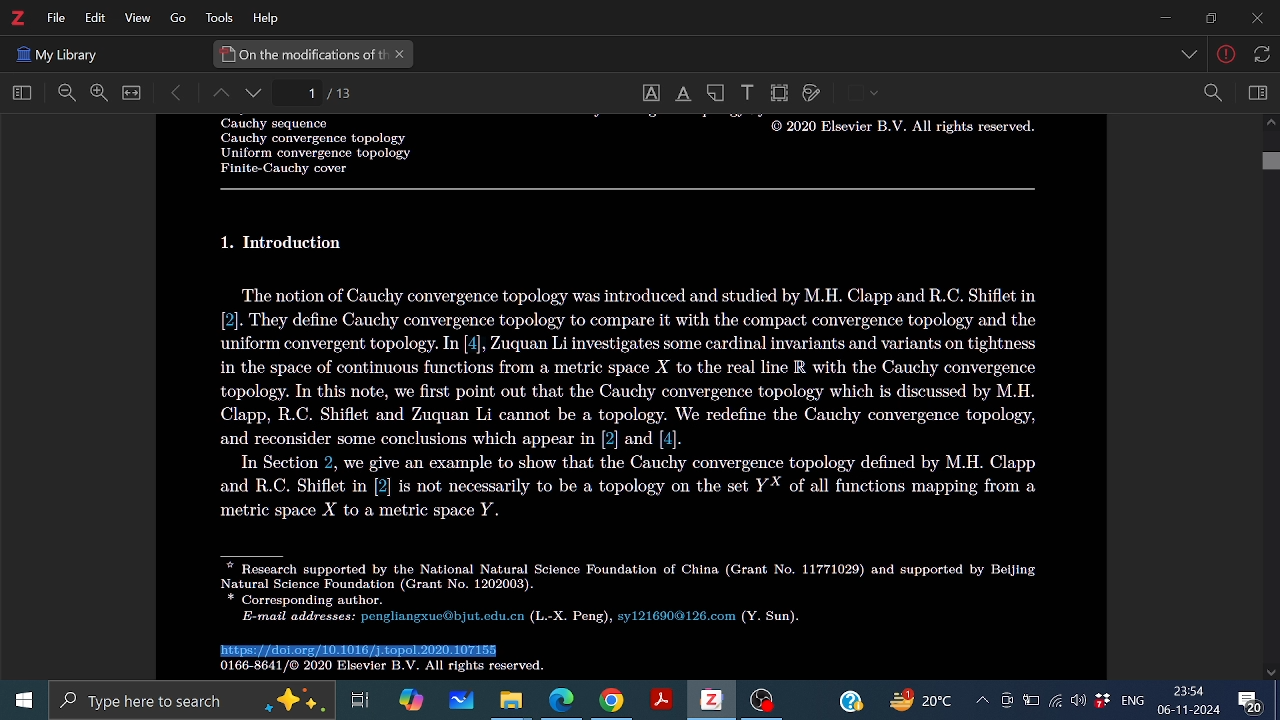  Describe the element at coordinates (410, 700) in the screenshot. I see `Copilot` at that location.